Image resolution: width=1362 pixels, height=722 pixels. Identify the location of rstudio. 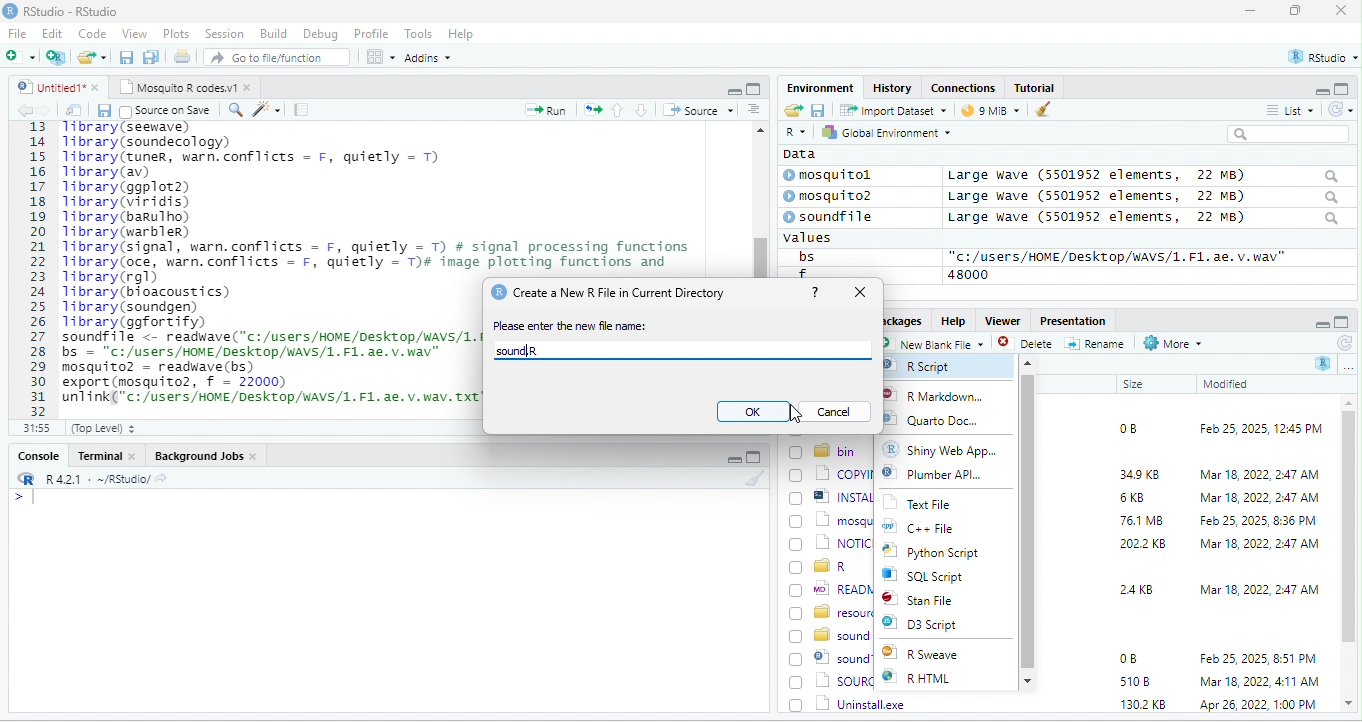
(1319, 58).